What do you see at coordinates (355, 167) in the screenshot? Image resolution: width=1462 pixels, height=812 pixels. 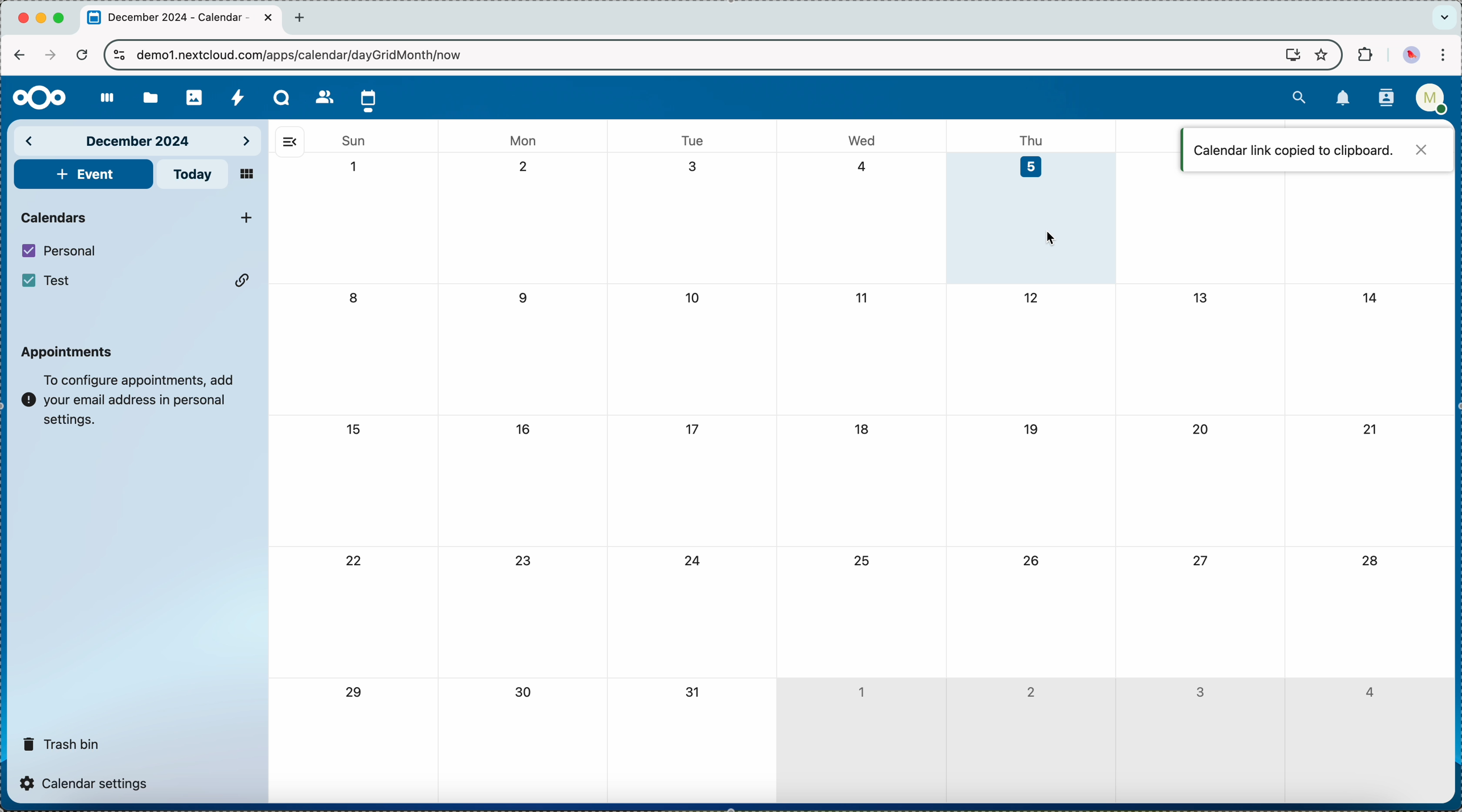 I see `1` at bounding box center [355, 167].